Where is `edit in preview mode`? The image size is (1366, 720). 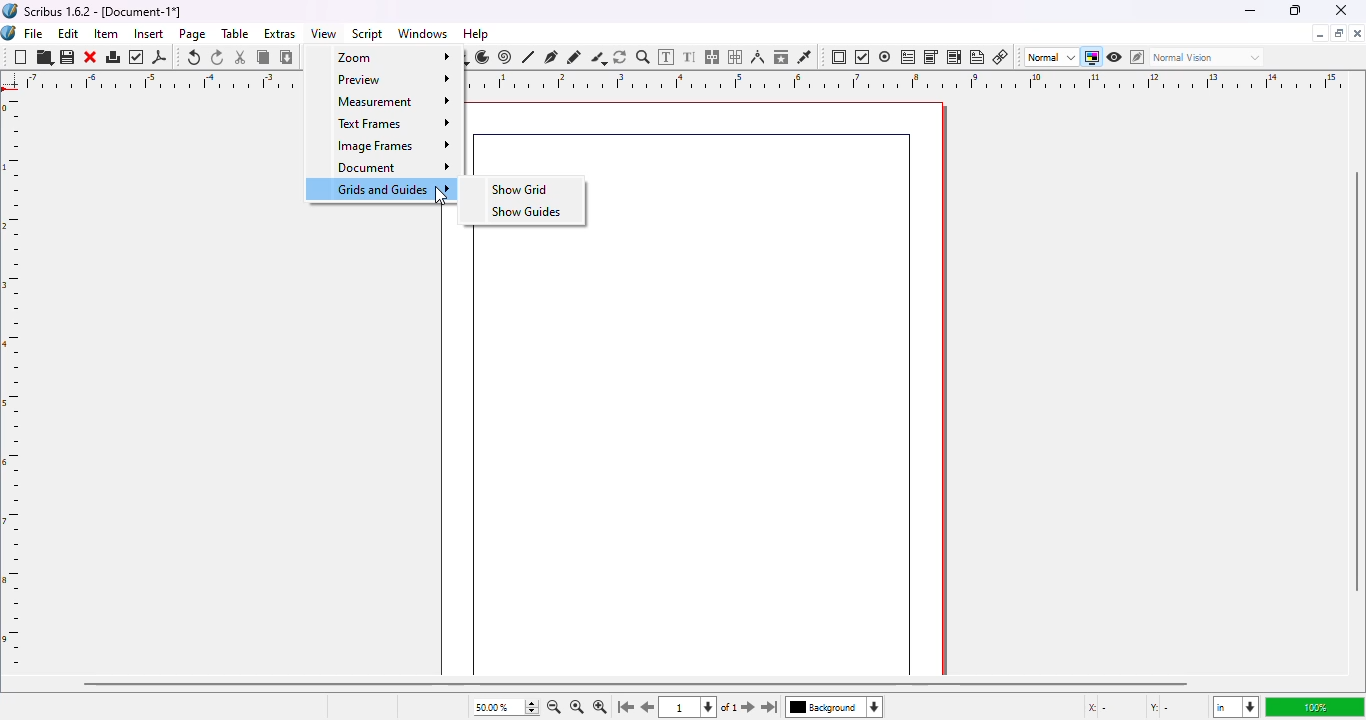
edit in preview mode is located at coordinates (1137, 57).